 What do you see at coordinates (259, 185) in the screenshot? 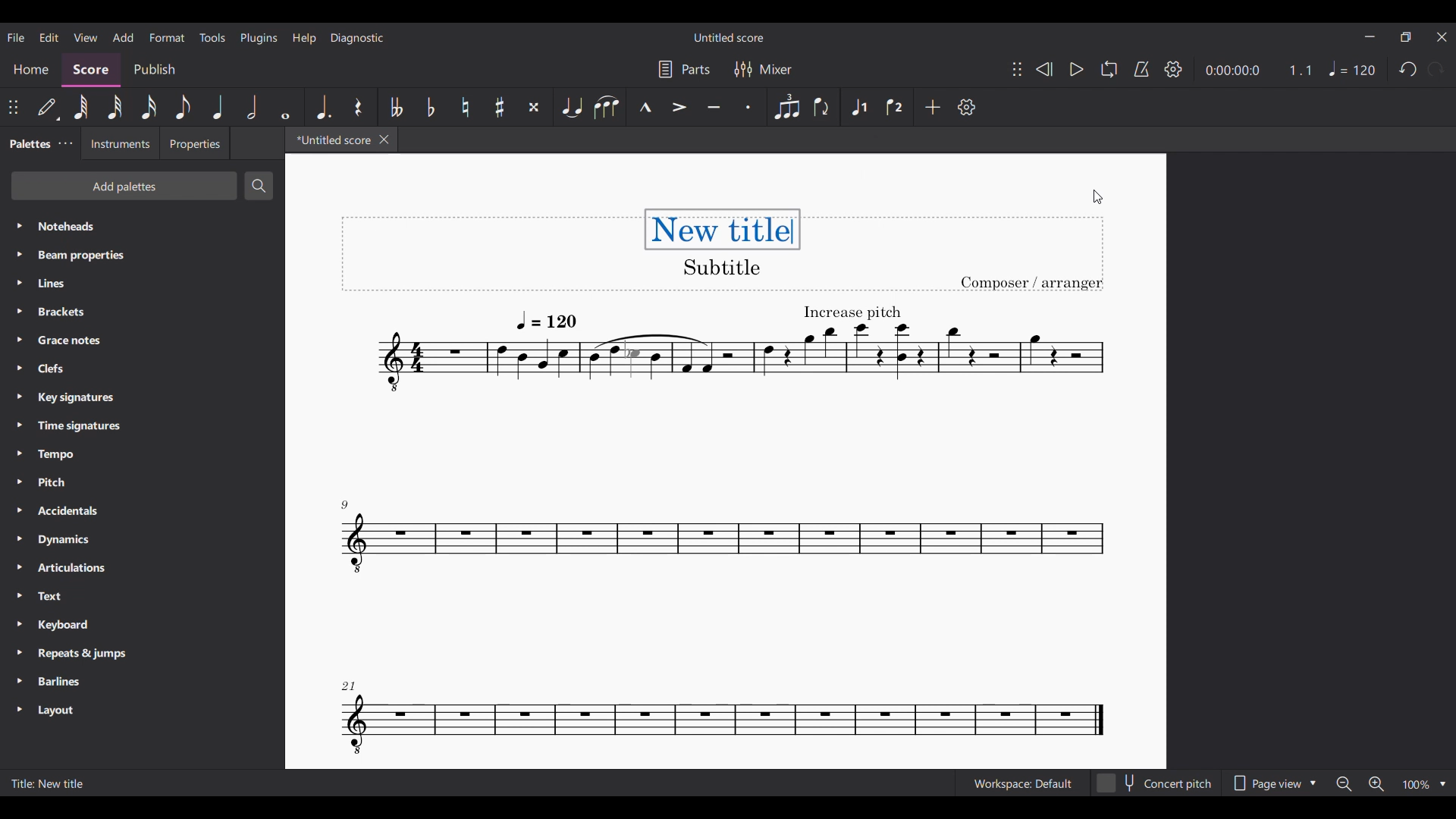
I see `Search` at bounding box center [259, 185].